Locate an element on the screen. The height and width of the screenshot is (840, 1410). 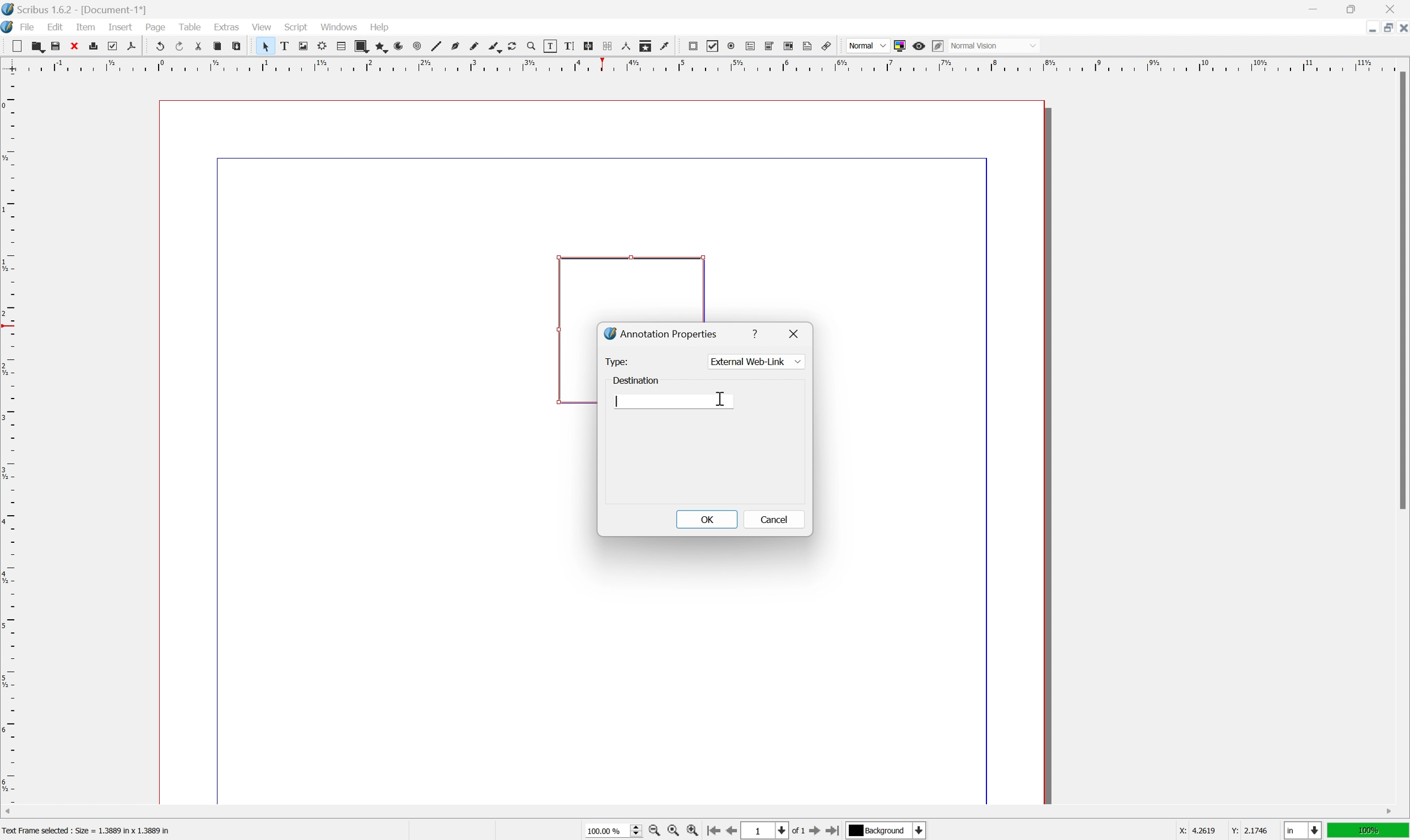
File is located at coordinates (28, 27).